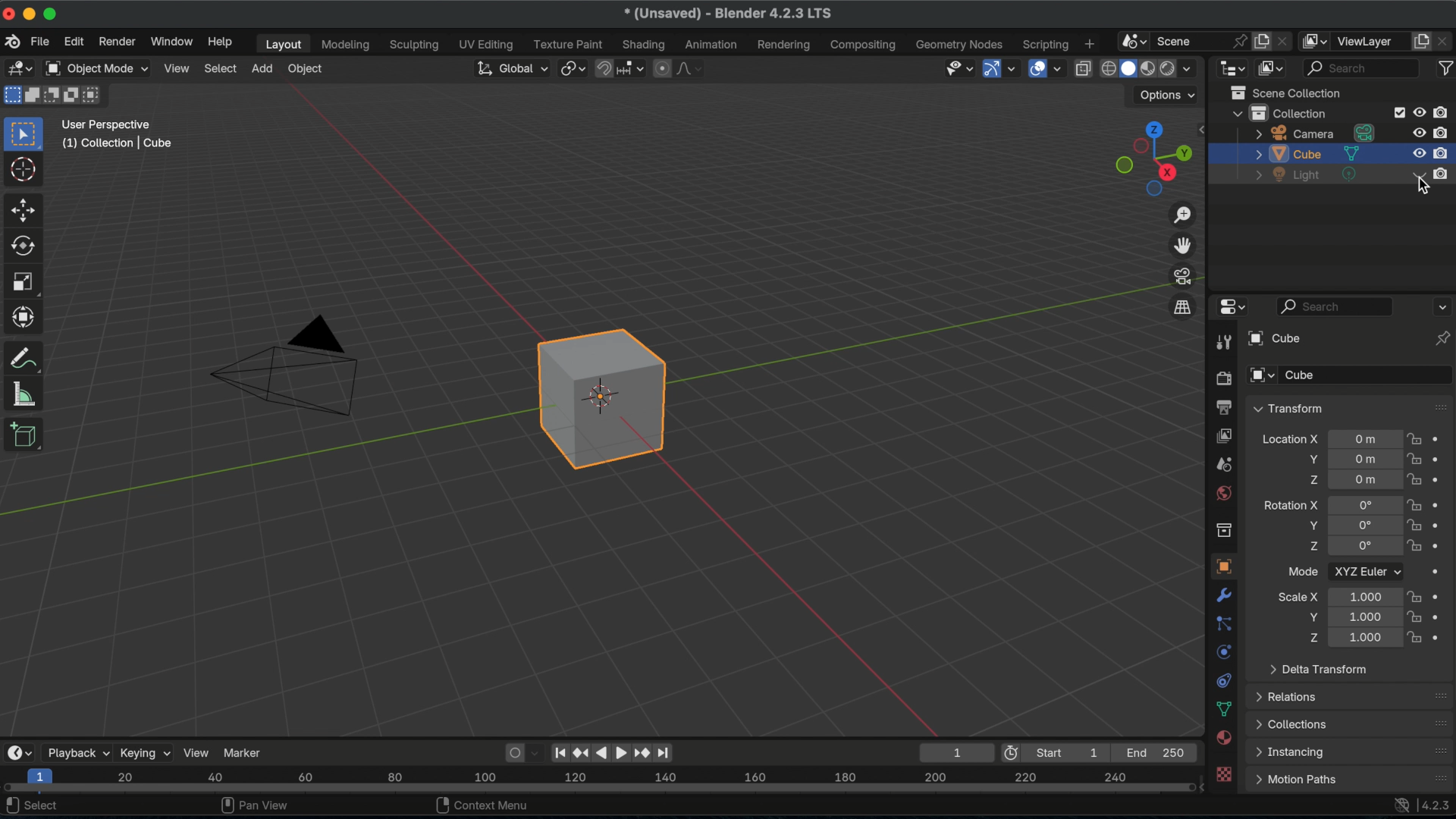 The image size is (1456, 819). Describe the element at coordinates (1107, 67) in the screenshot. I see `viewport shading` at that location.